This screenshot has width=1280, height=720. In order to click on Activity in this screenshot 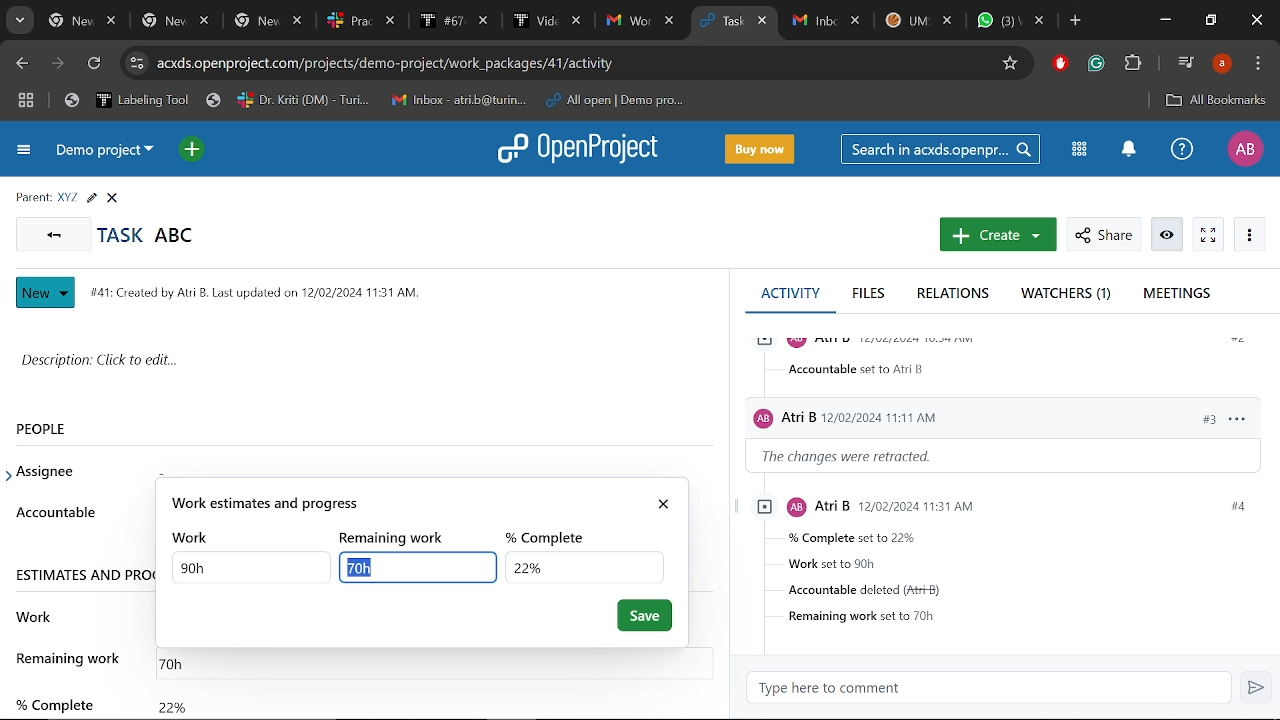, I will do `click(790, 292)`.